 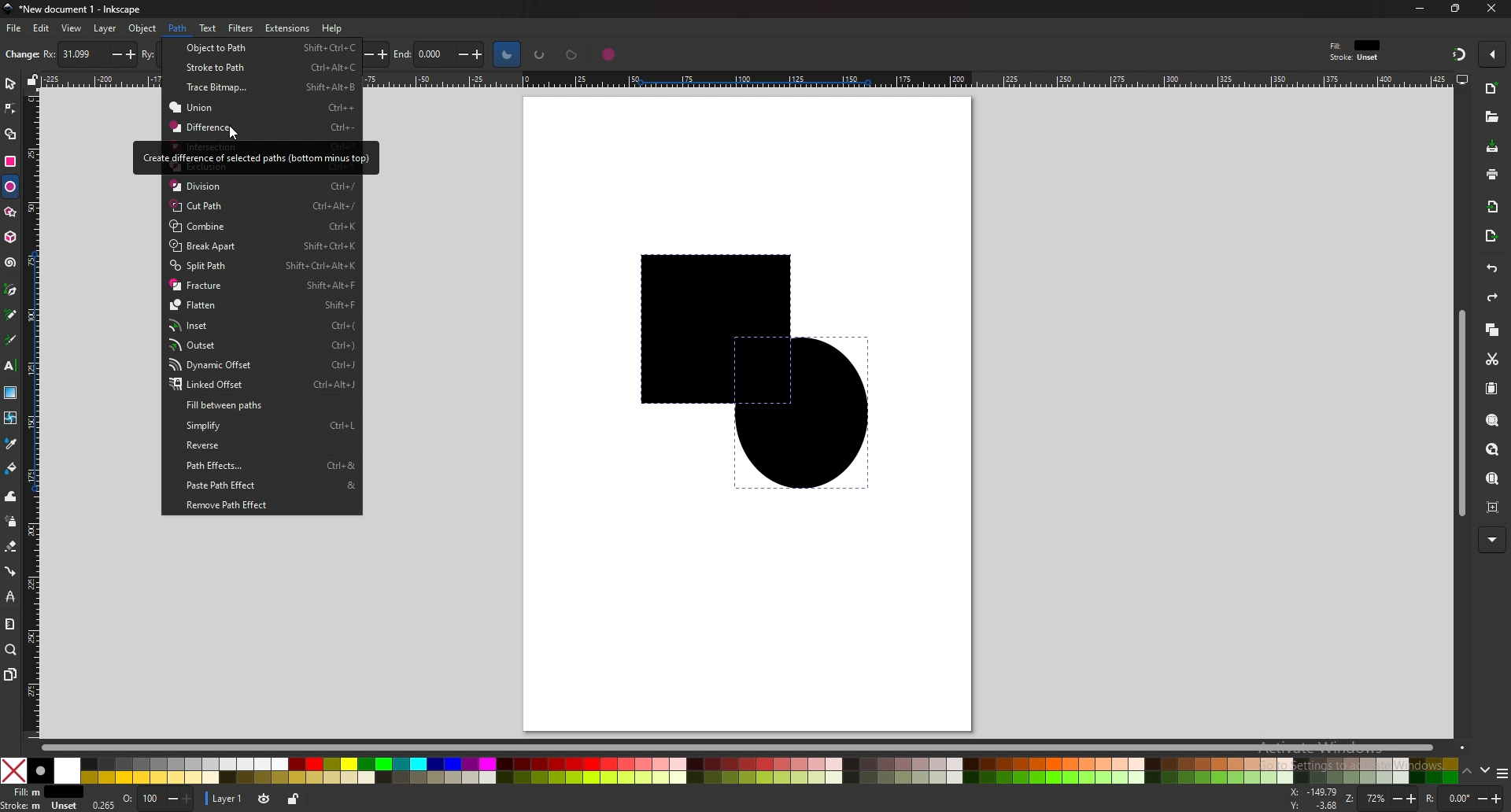 I want to click on cut, so click(x=1493, y=360).